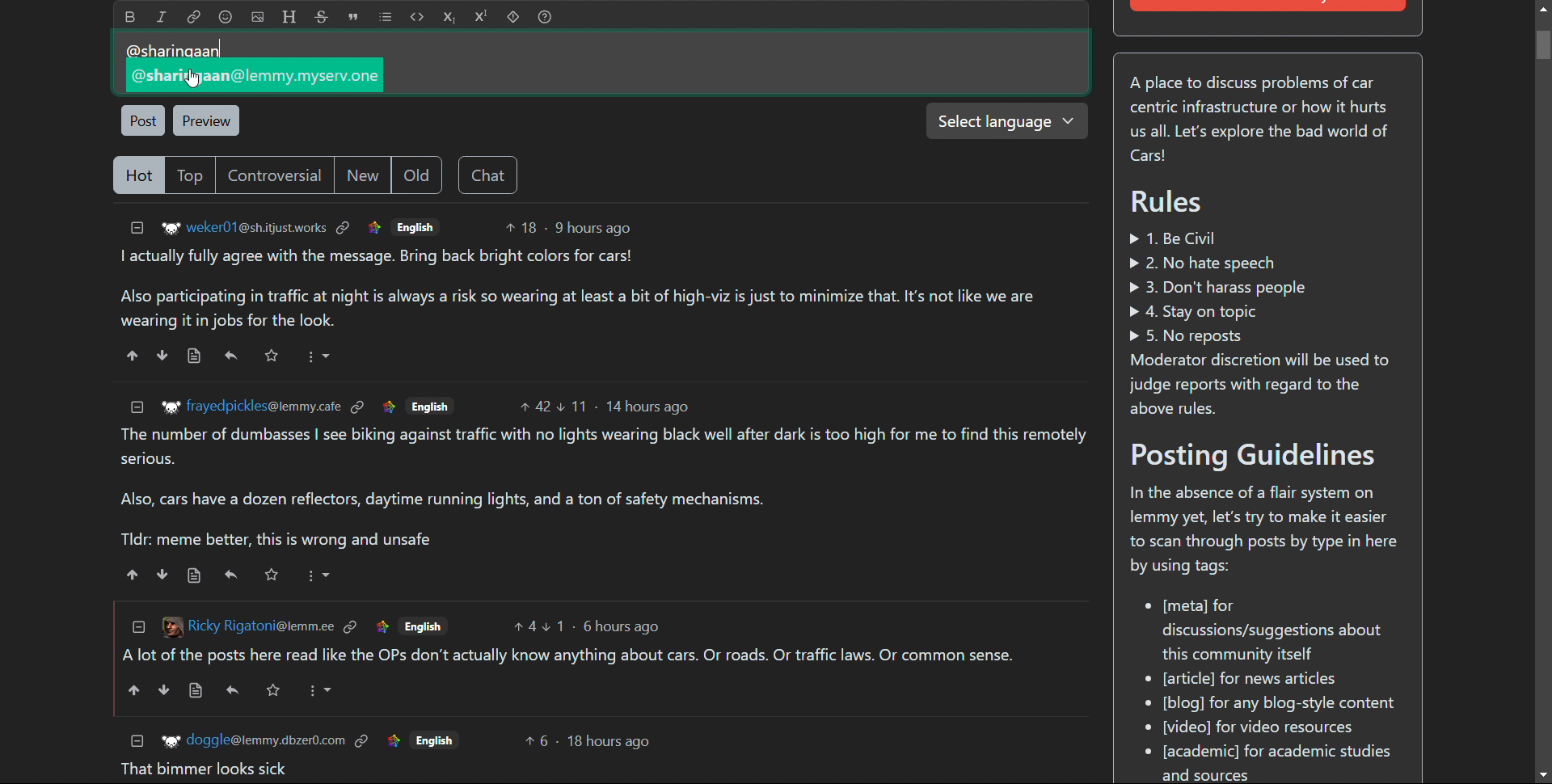 The image size is (1552, 784). Describe the element at coordinates (143, 121) in the screenshot. I see `post` at that location.